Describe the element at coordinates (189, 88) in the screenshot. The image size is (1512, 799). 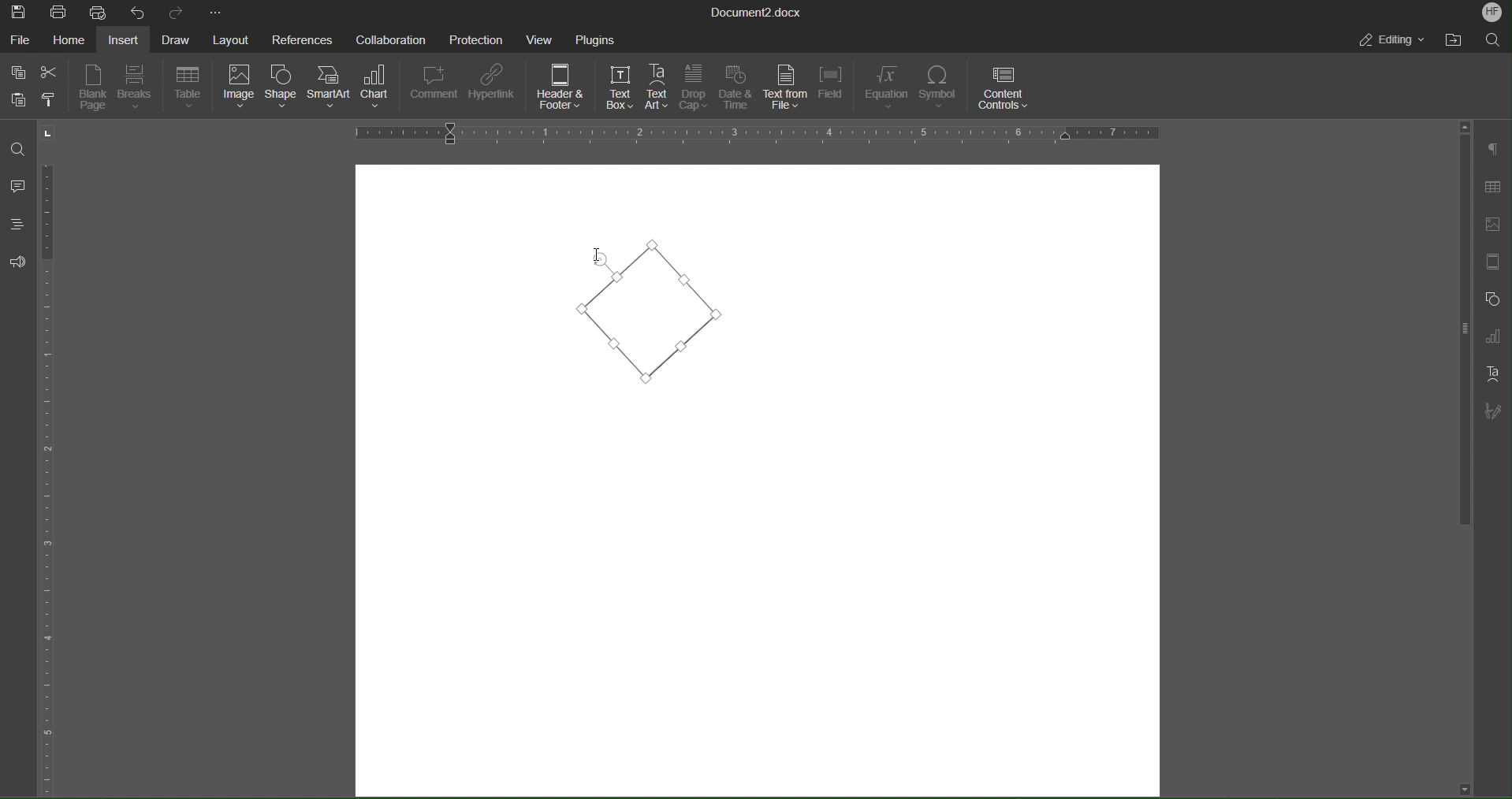
I see `Table` at that location.